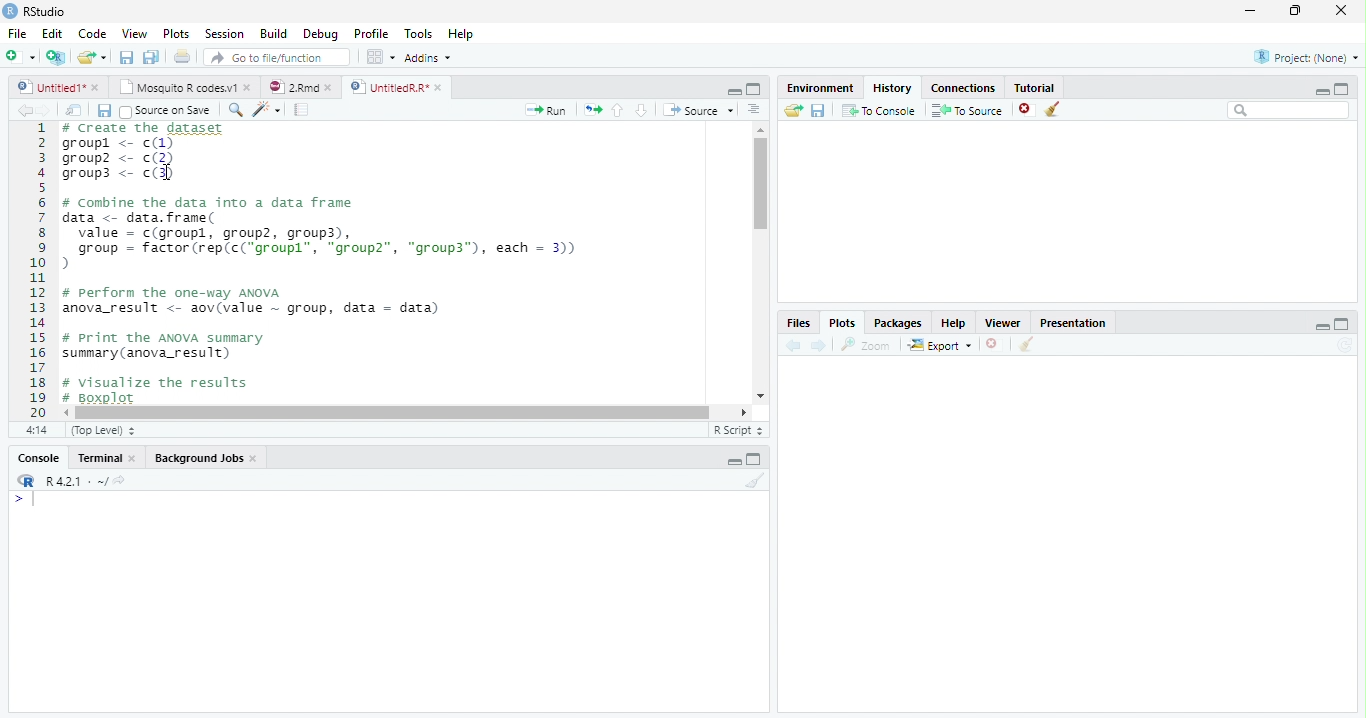 The height and width of the screenshot is (718, 1366). What do you see at coordinates (277, 58) in the screenshot?
I see `Go to file/function` at bounding box center [277, 58].